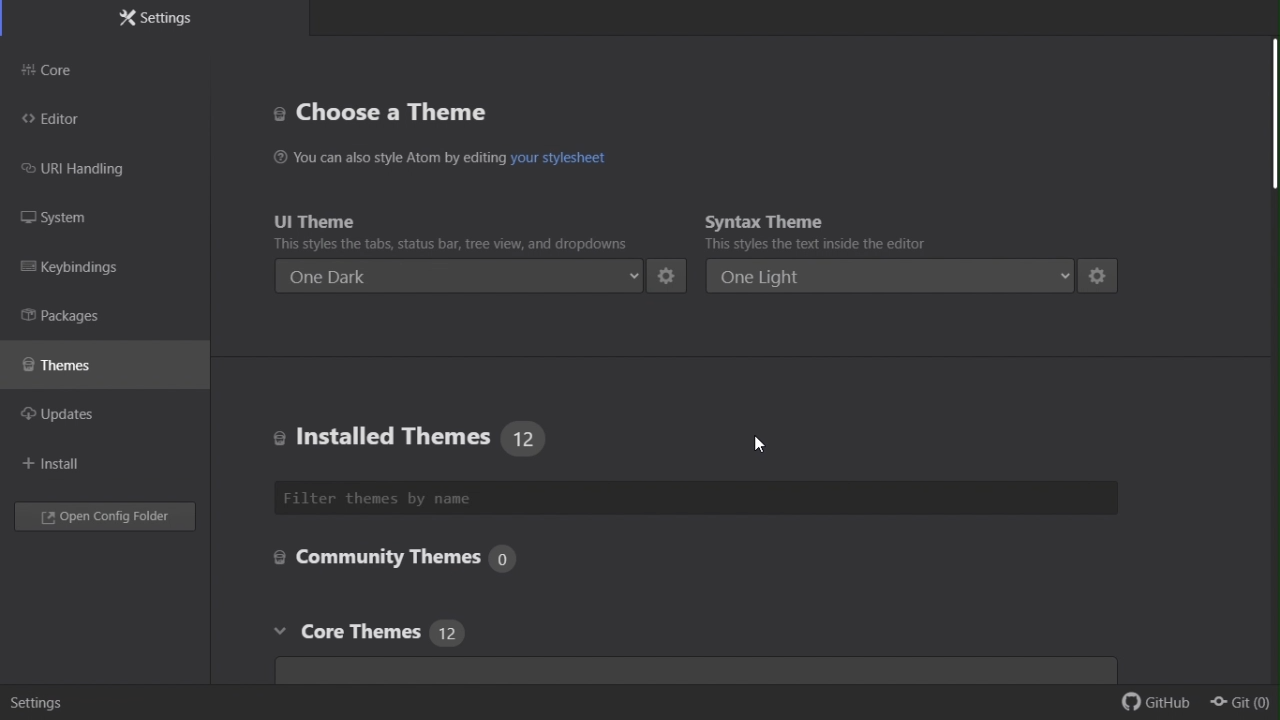 This screenshot has height=720, width=1280. What do you see at coordinates (1242, 703) in the screenshot?
I see `git` at bounding box center [1242, 703].